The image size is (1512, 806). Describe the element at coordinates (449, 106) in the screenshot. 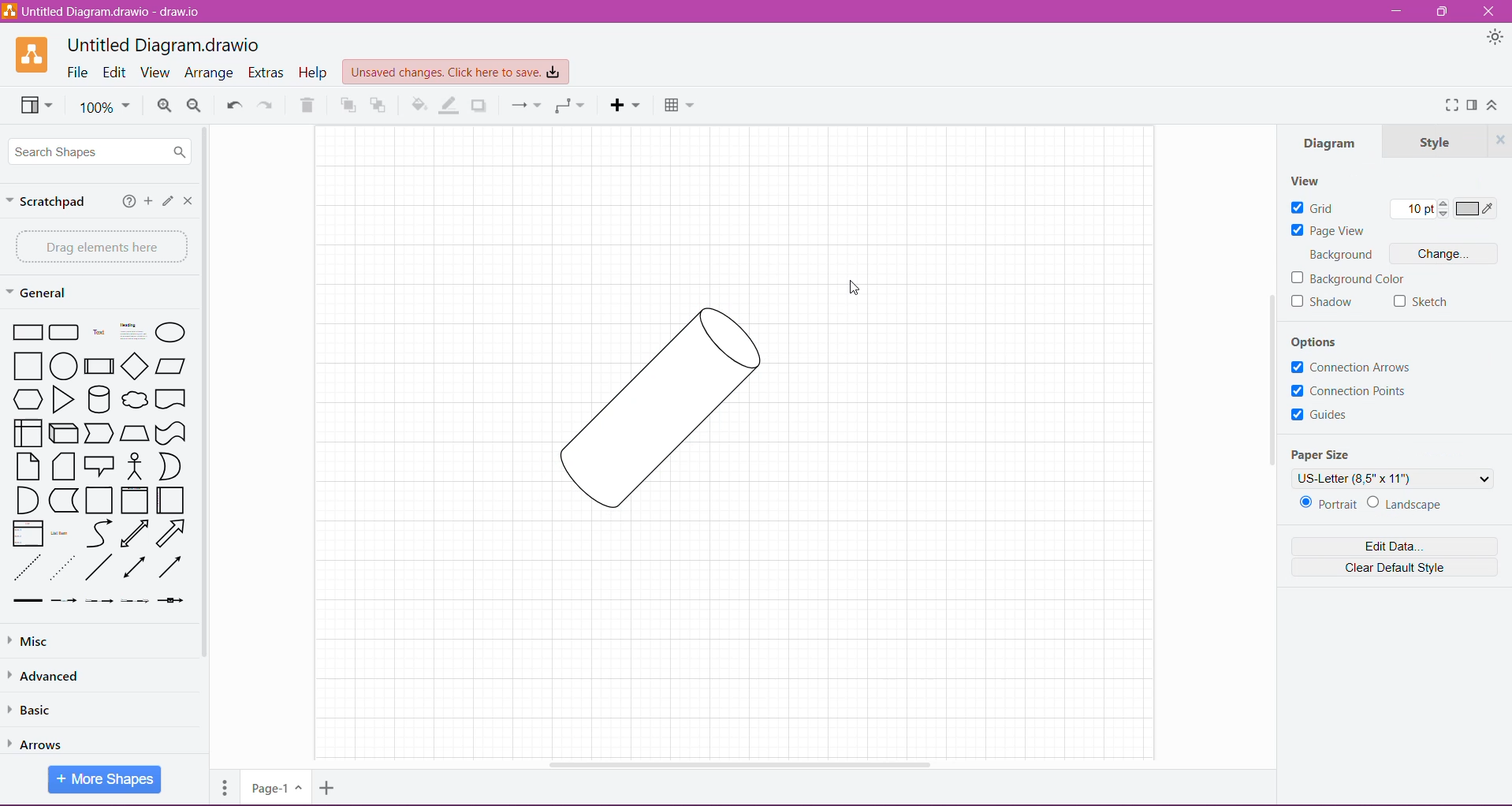

I see `Line Color` at that location.